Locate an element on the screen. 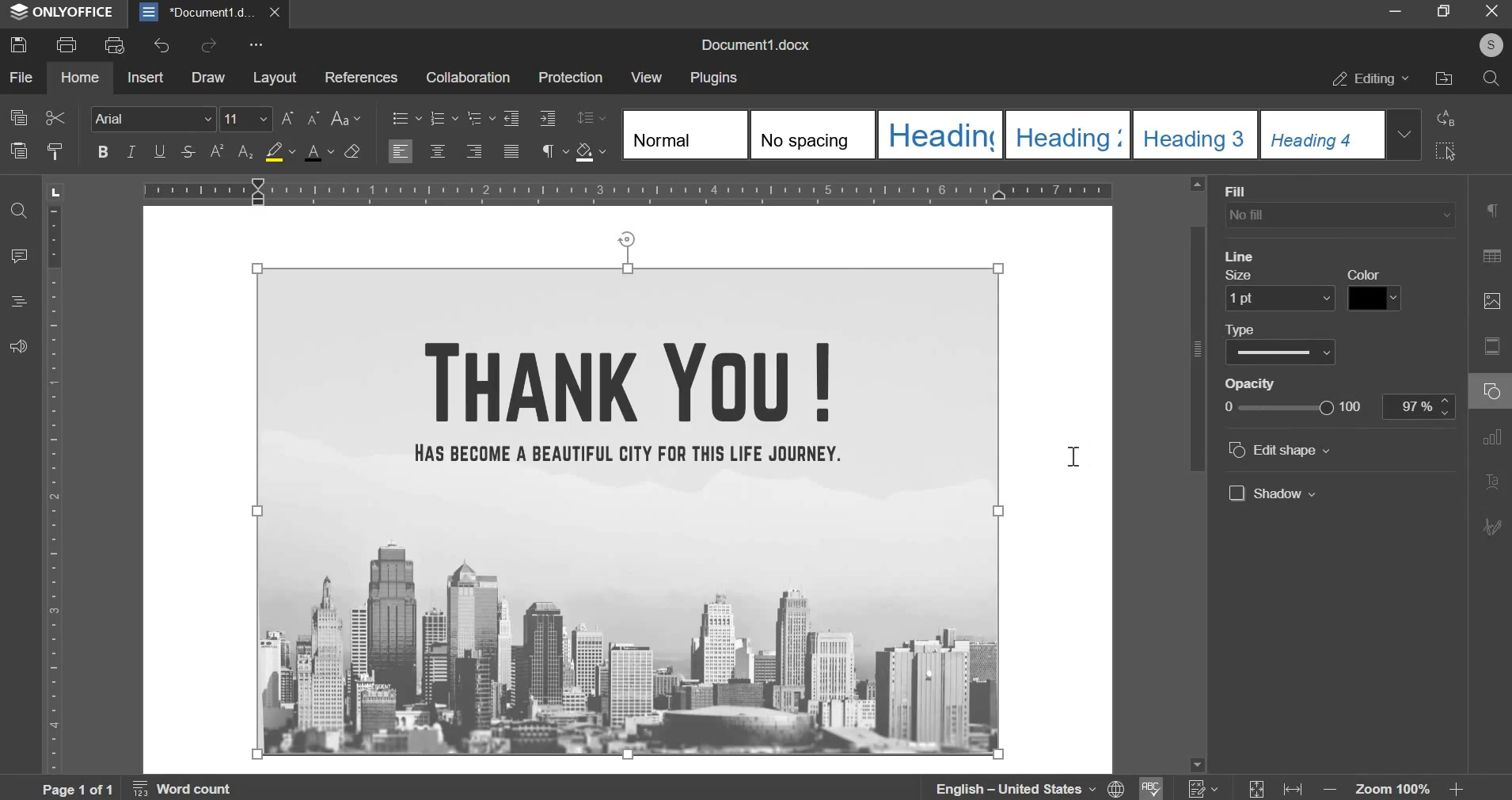 Image resolution: width=1512 pixels, height=800 pixels. text color is located at coordinates (318, 151).